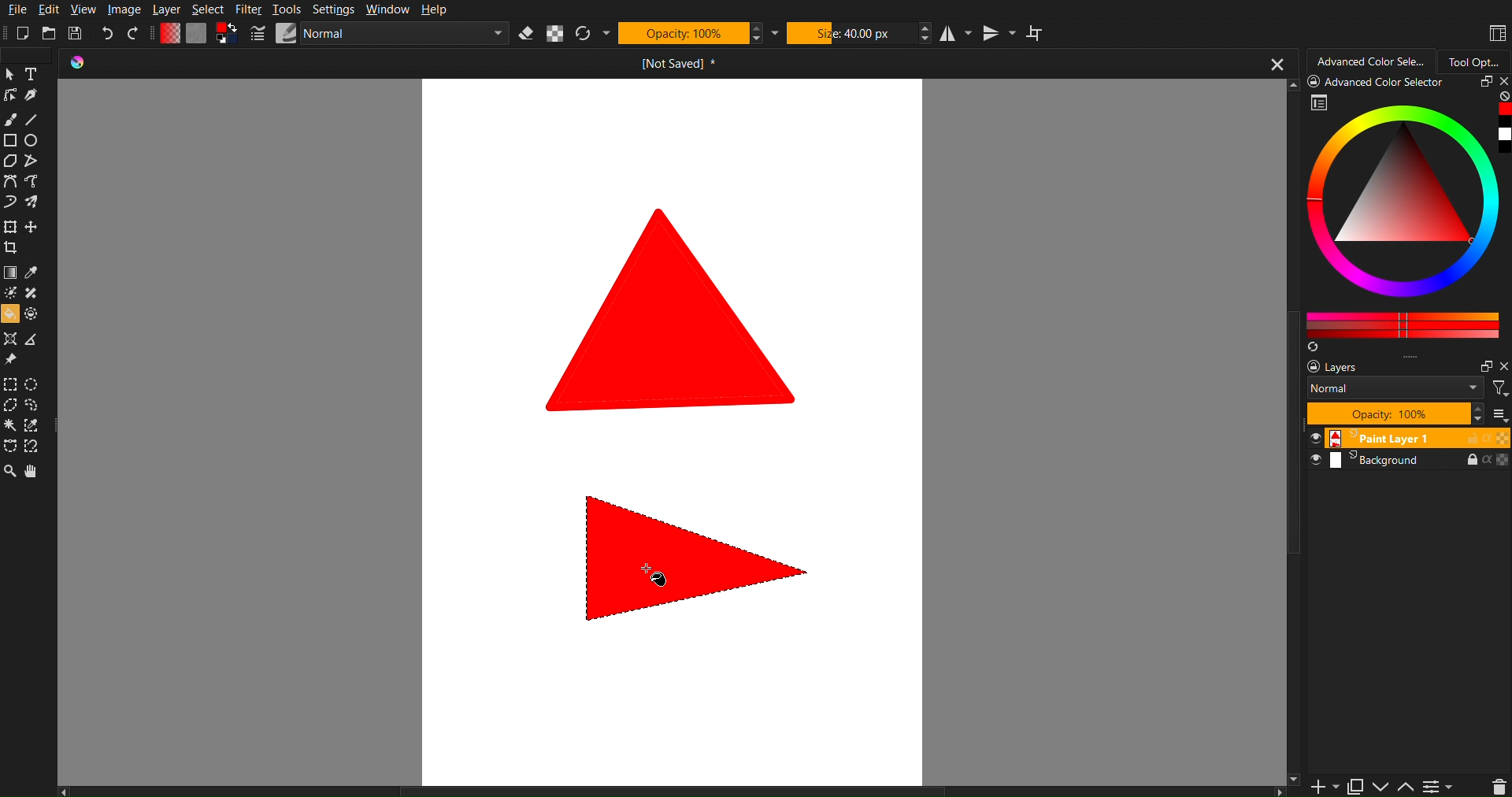 The height and width of the screenshot is (797, 1512). What do you see at coordinates (1370, 60) in the screenshot?
I see `Advanced Color Selector` at bounding box center [1370, 60].